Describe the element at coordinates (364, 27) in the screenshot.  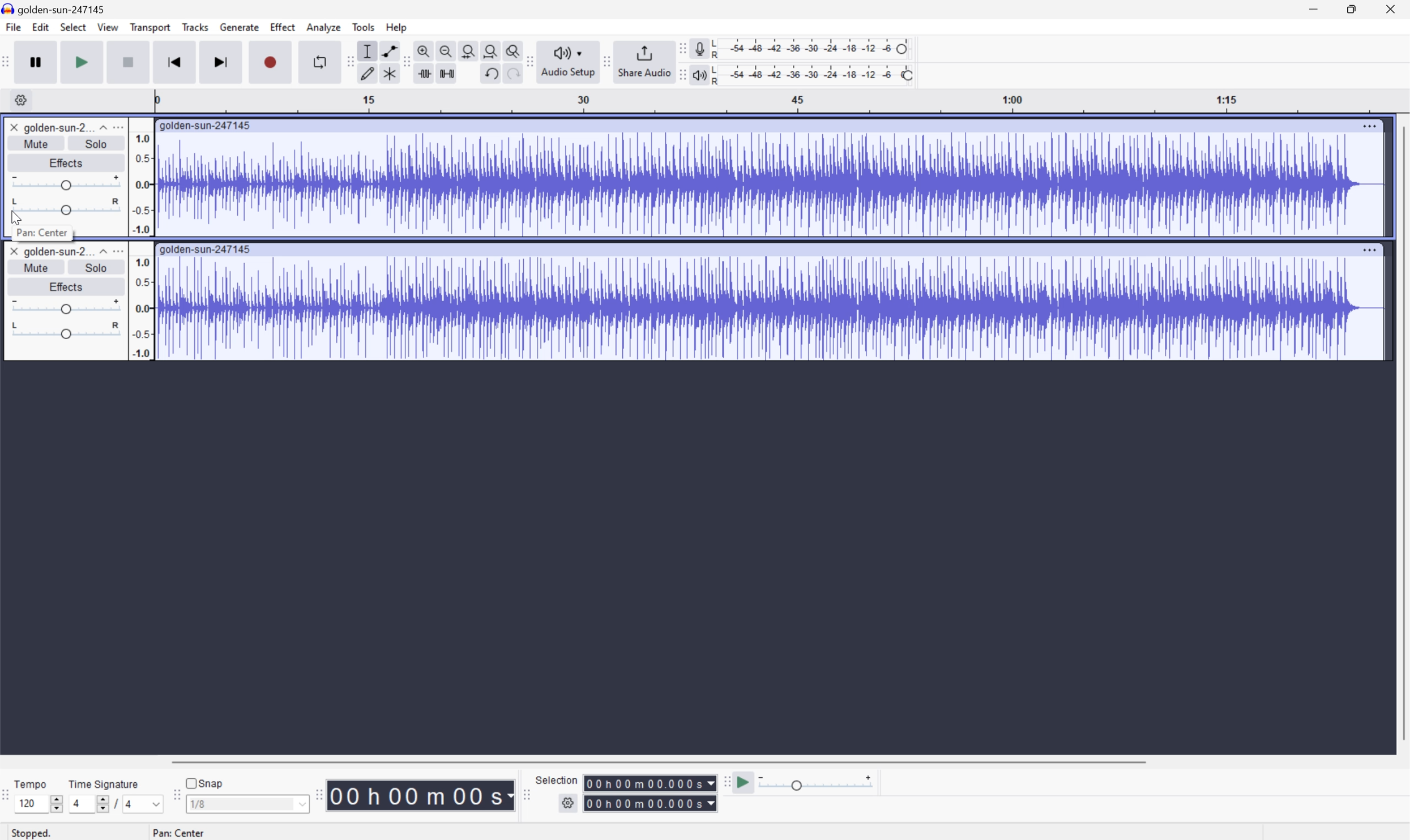
I see `Tools` at that location.